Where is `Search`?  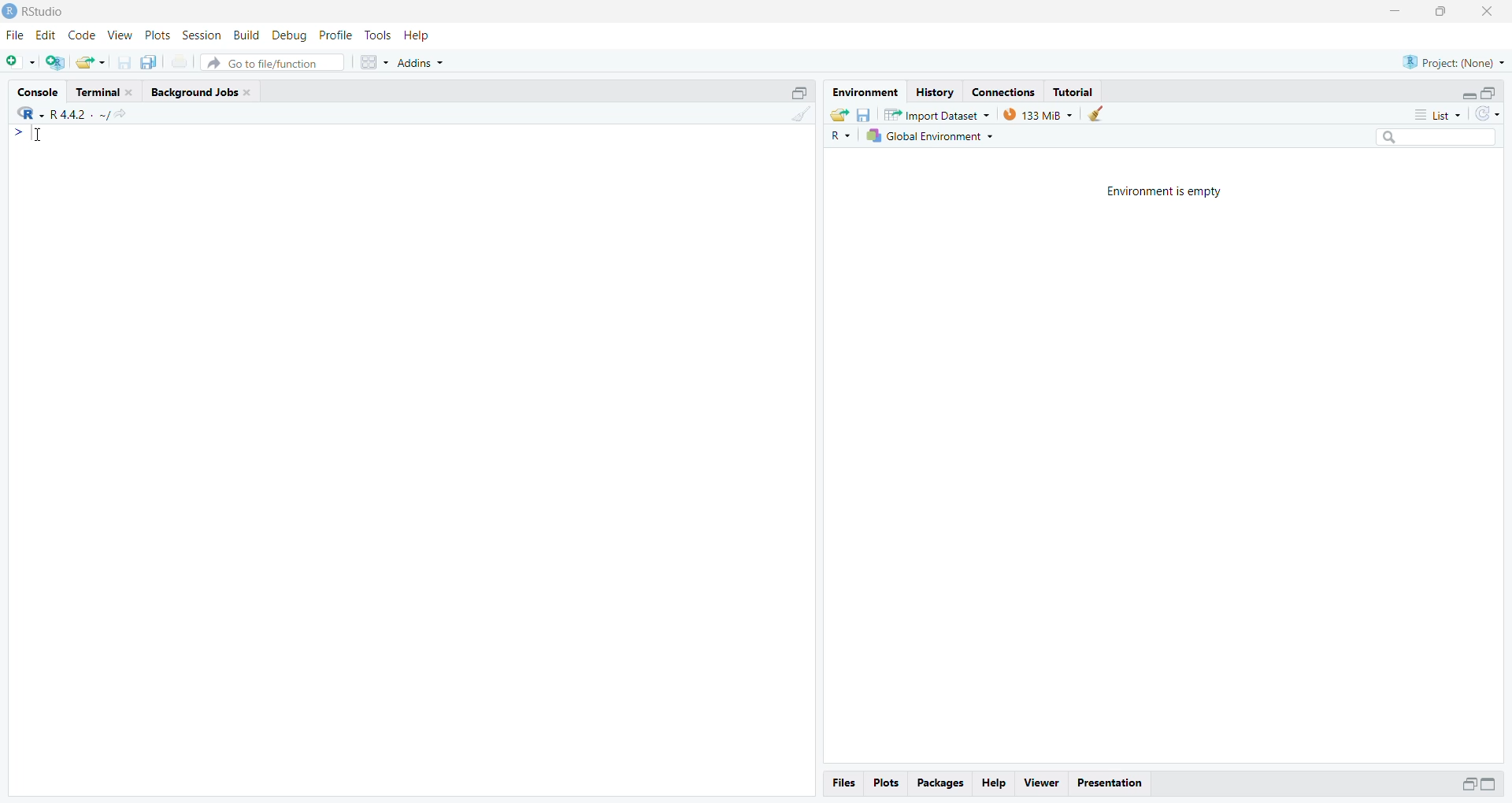 Search is located at coordinates (1435, 139).